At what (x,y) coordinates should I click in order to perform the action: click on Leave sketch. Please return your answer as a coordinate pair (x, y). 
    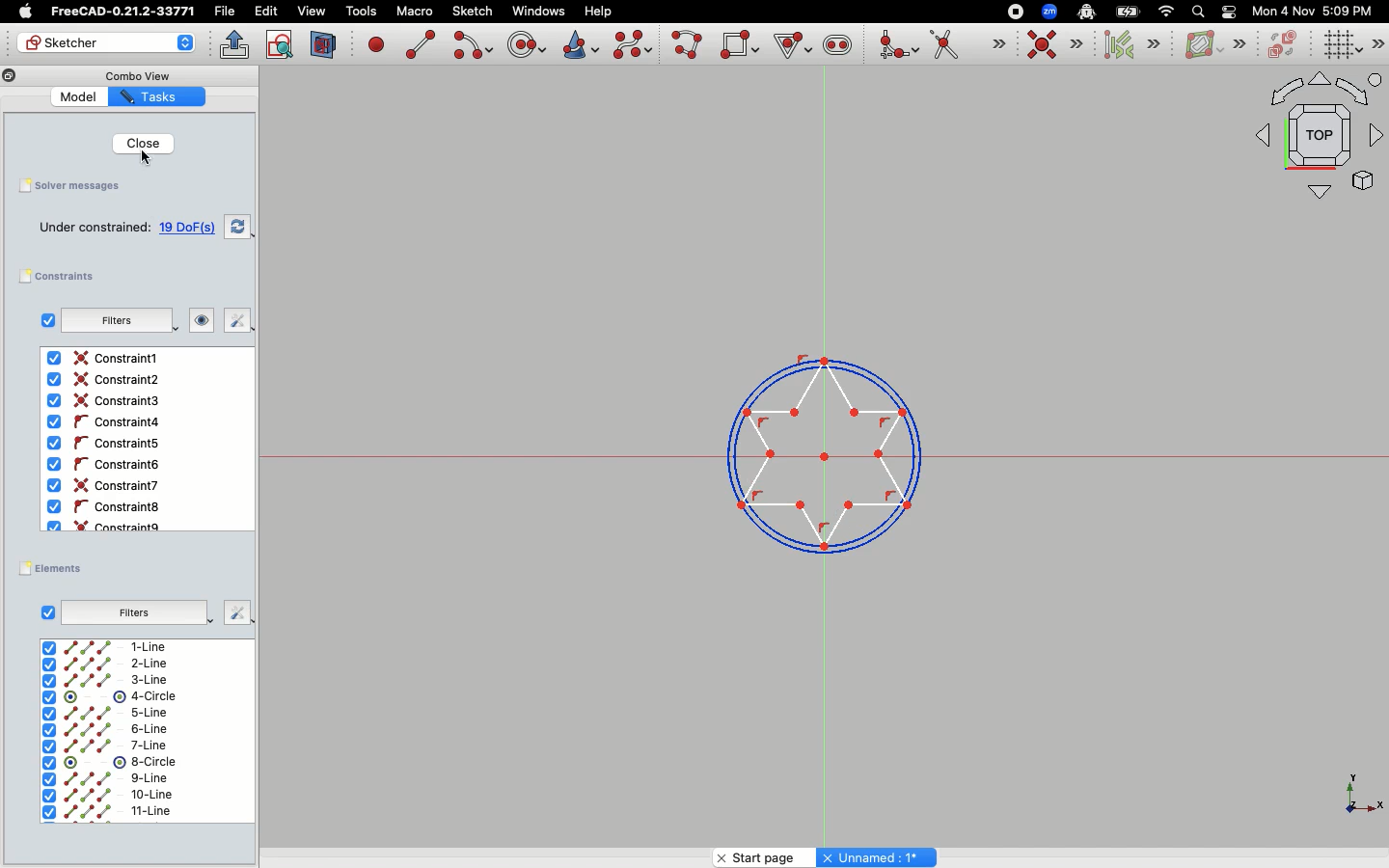
    Looking at the image, I should click on (235, 44).